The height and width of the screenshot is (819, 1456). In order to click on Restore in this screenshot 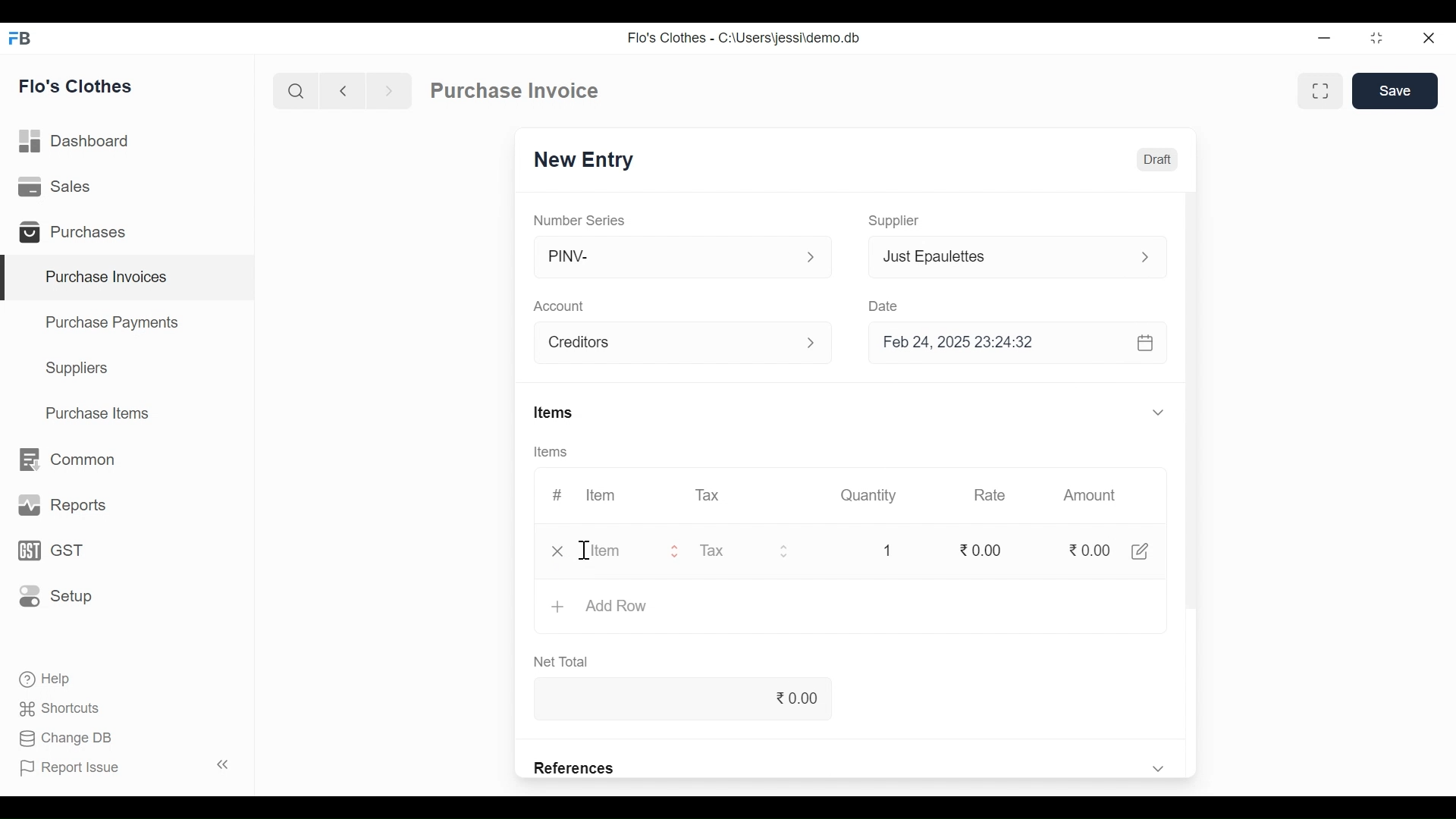, I will do `click(1376, 39)`.